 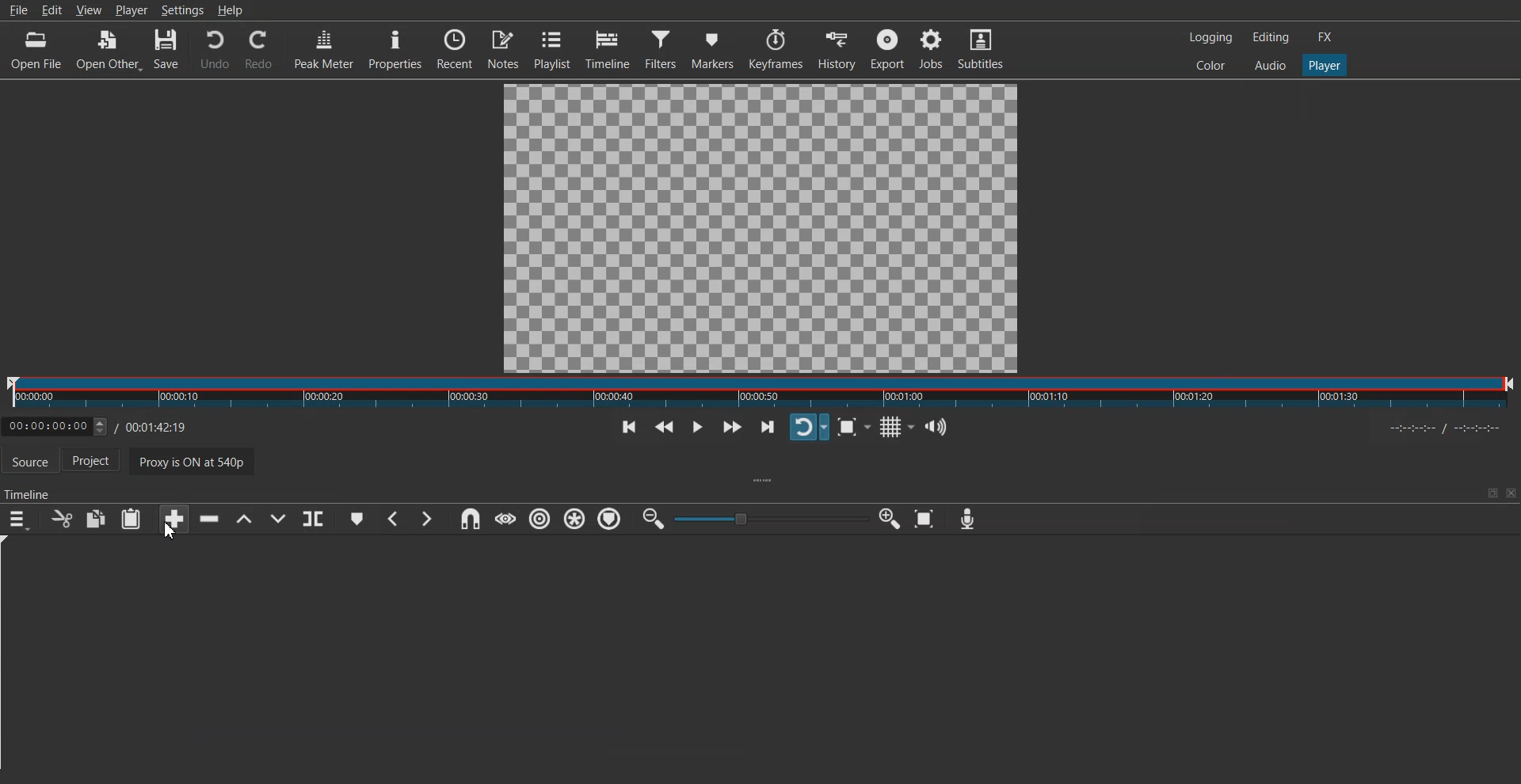 What do you see at coordinates (887, 48) in the screenshot?
I see `Export` at bounding box center [887, 48].